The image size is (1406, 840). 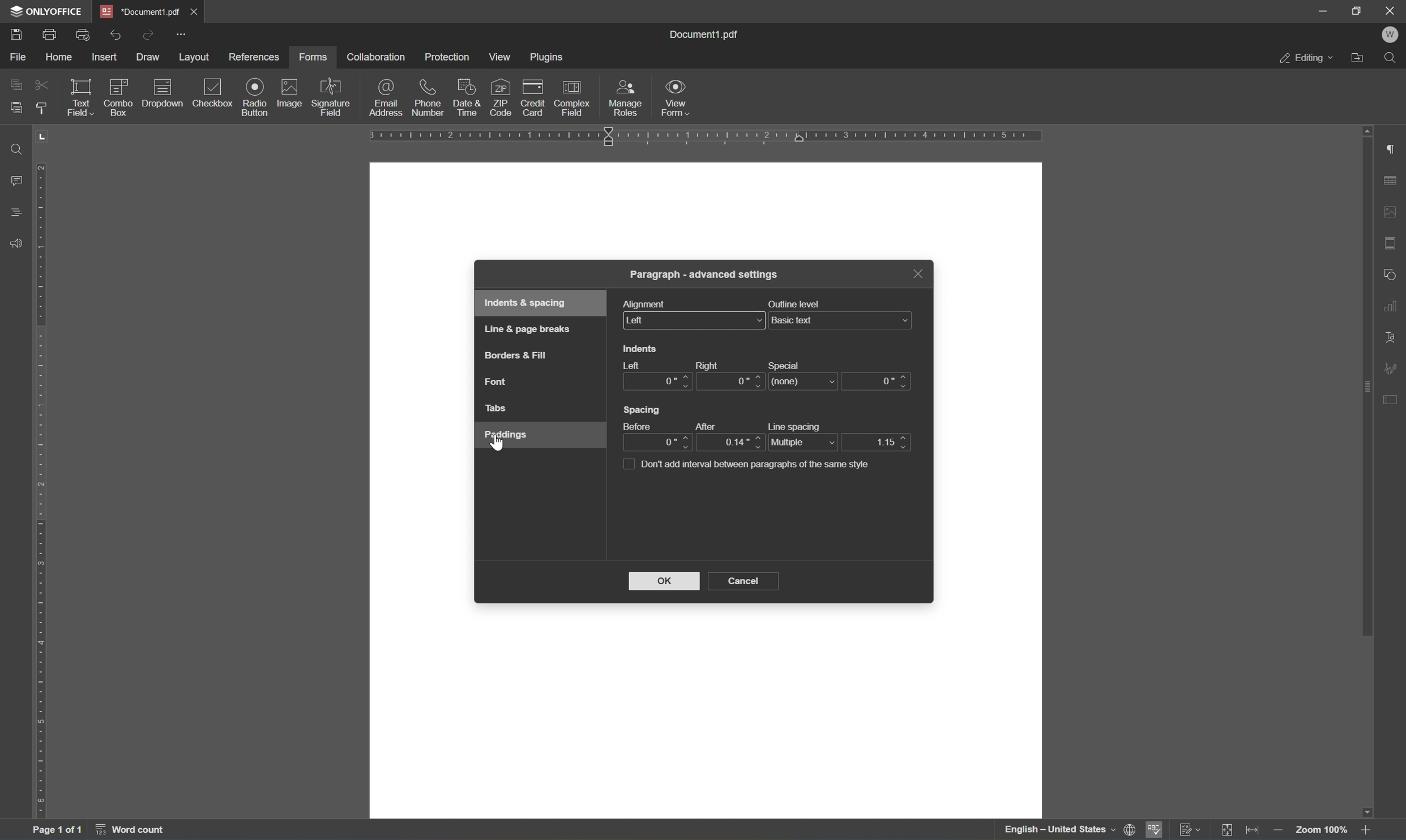 I want to click on collaboration, so click(x=376, y=57).